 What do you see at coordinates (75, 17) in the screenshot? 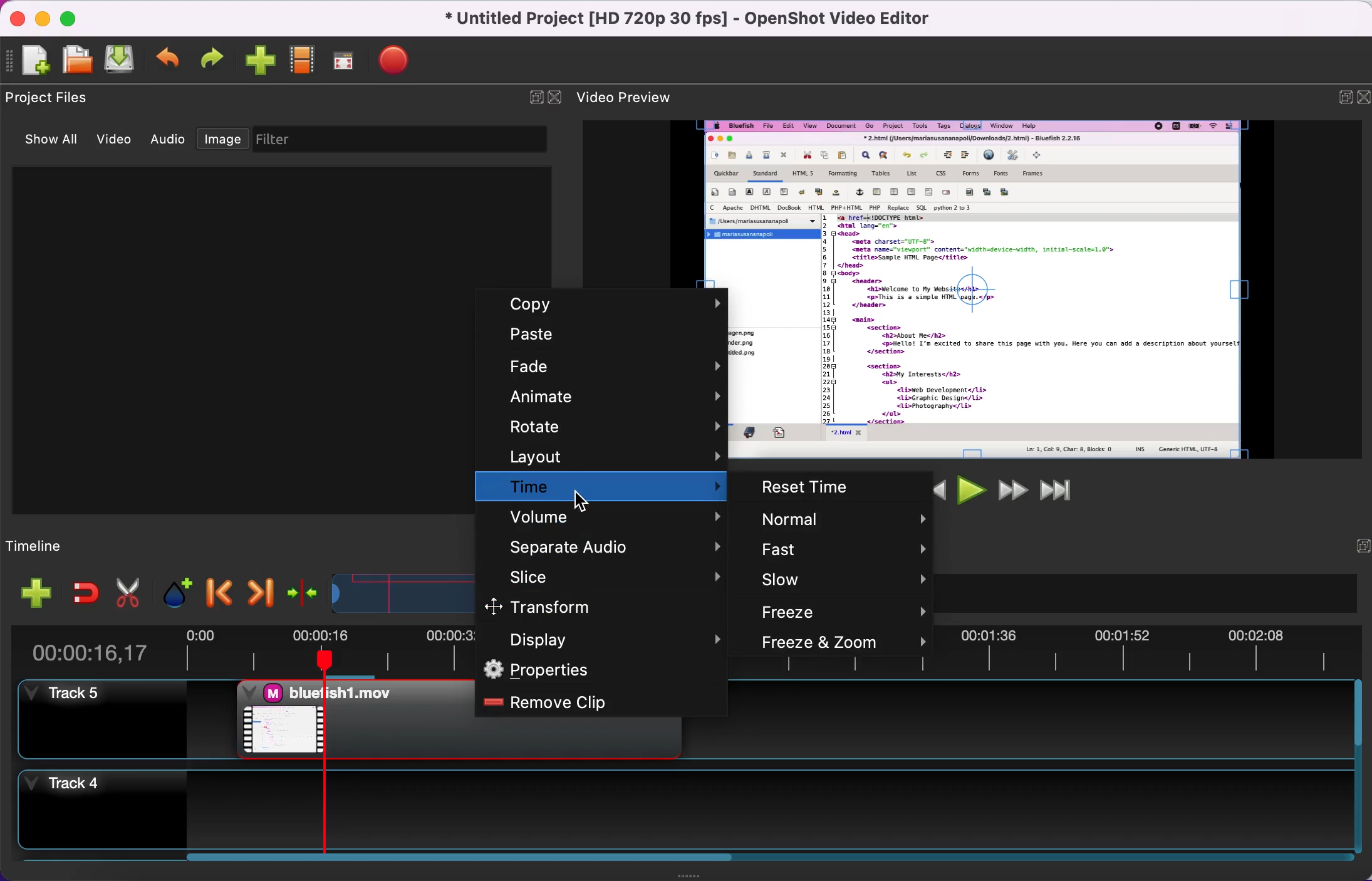
I see `maximize` at bounding box center [75, 17].